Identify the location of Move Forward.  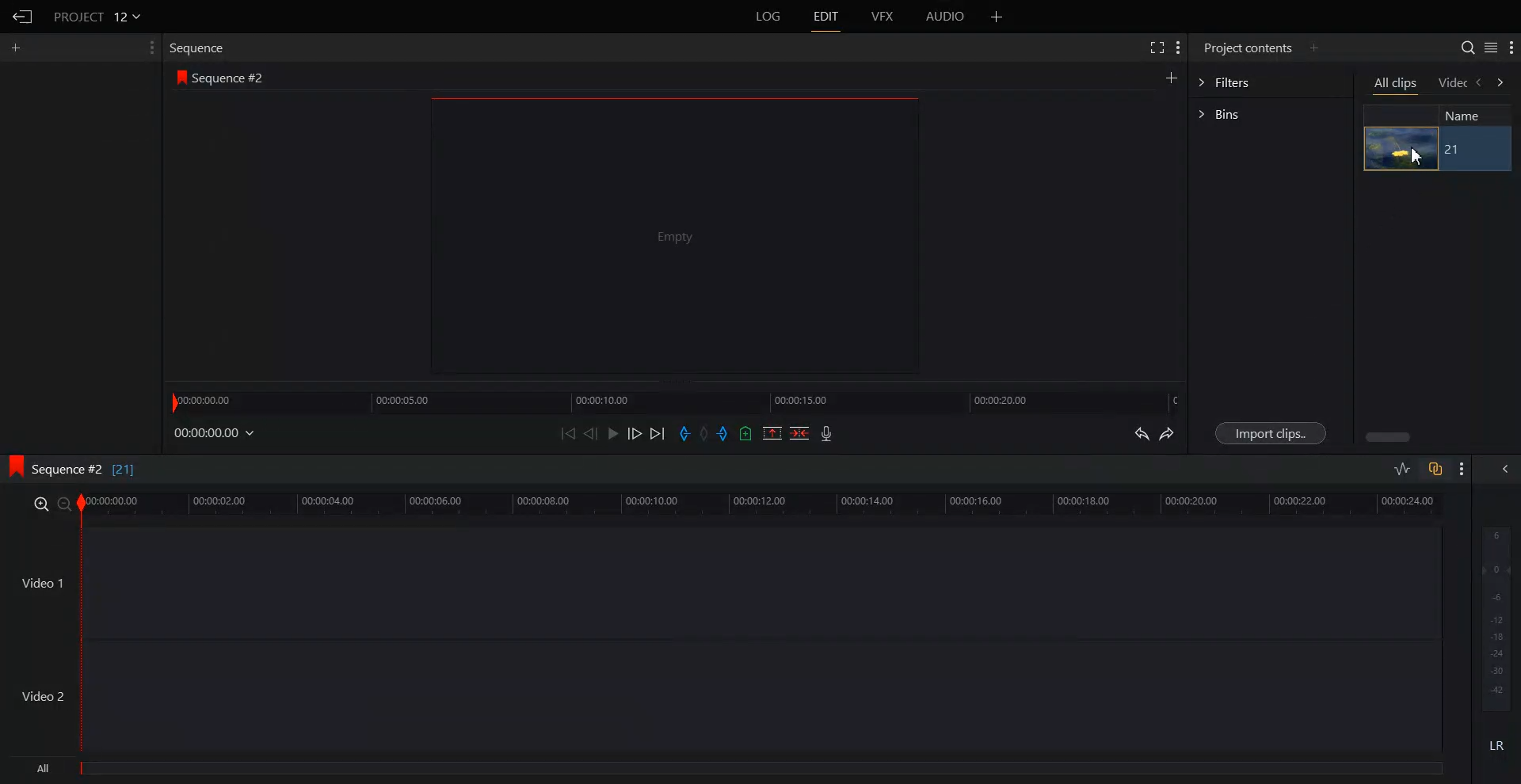
(658, 433).